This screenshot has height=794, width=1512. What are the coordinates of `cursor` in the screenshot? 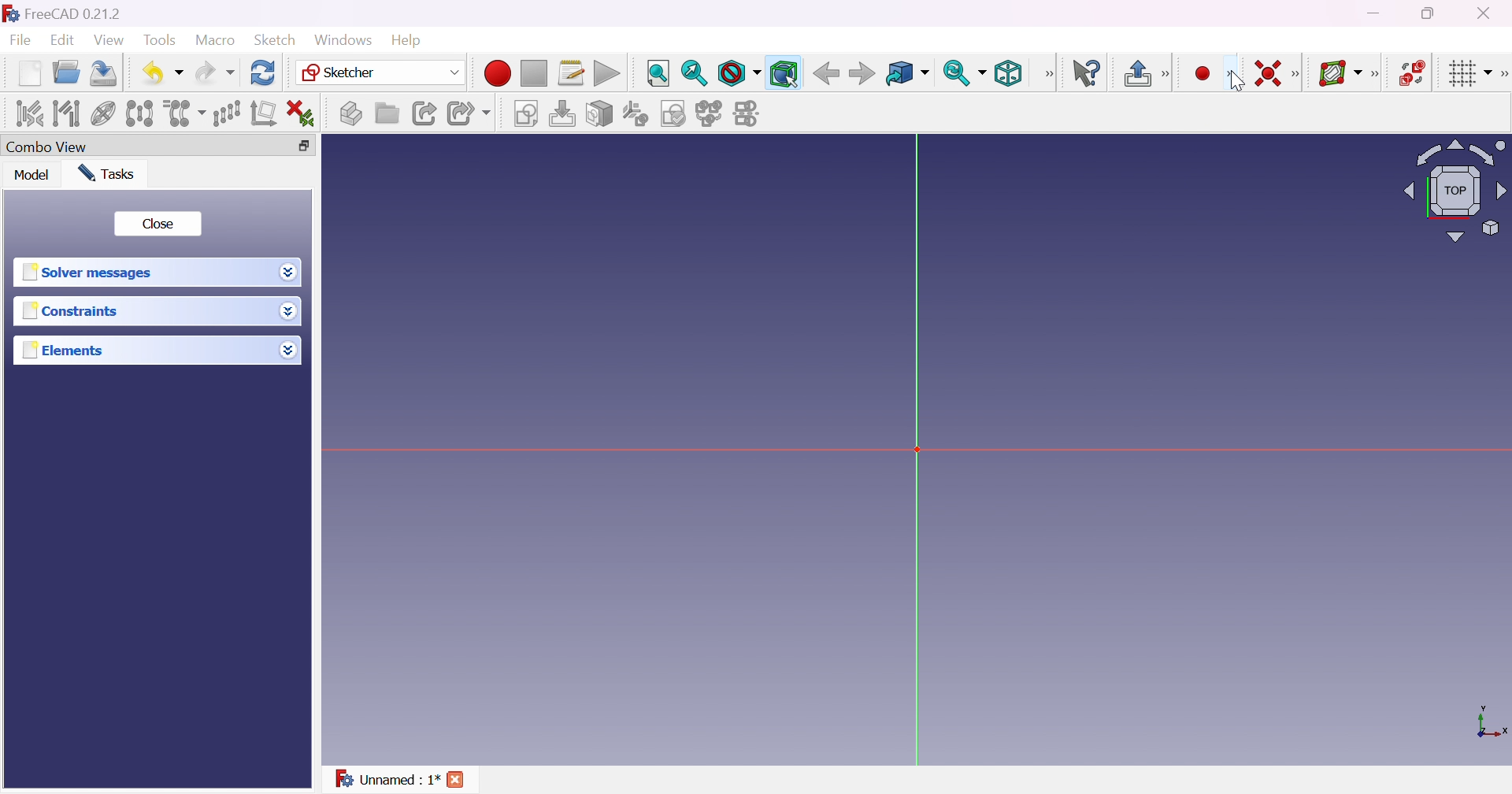 It's located at (1236, 80).